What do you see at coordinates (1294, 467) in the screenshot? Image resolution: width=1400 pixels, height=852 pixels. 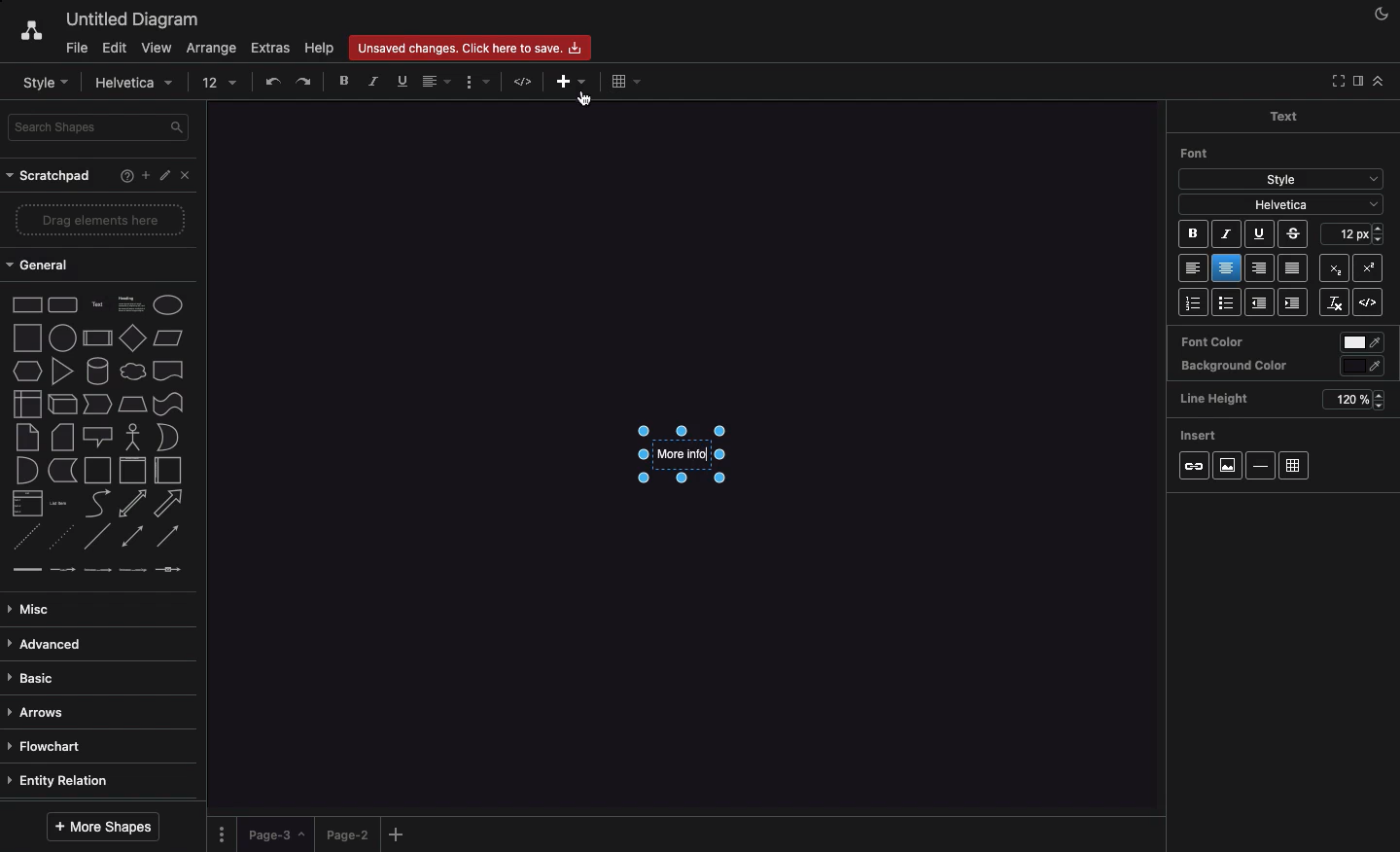 I see `Table` at bounding box center [1294, 467].